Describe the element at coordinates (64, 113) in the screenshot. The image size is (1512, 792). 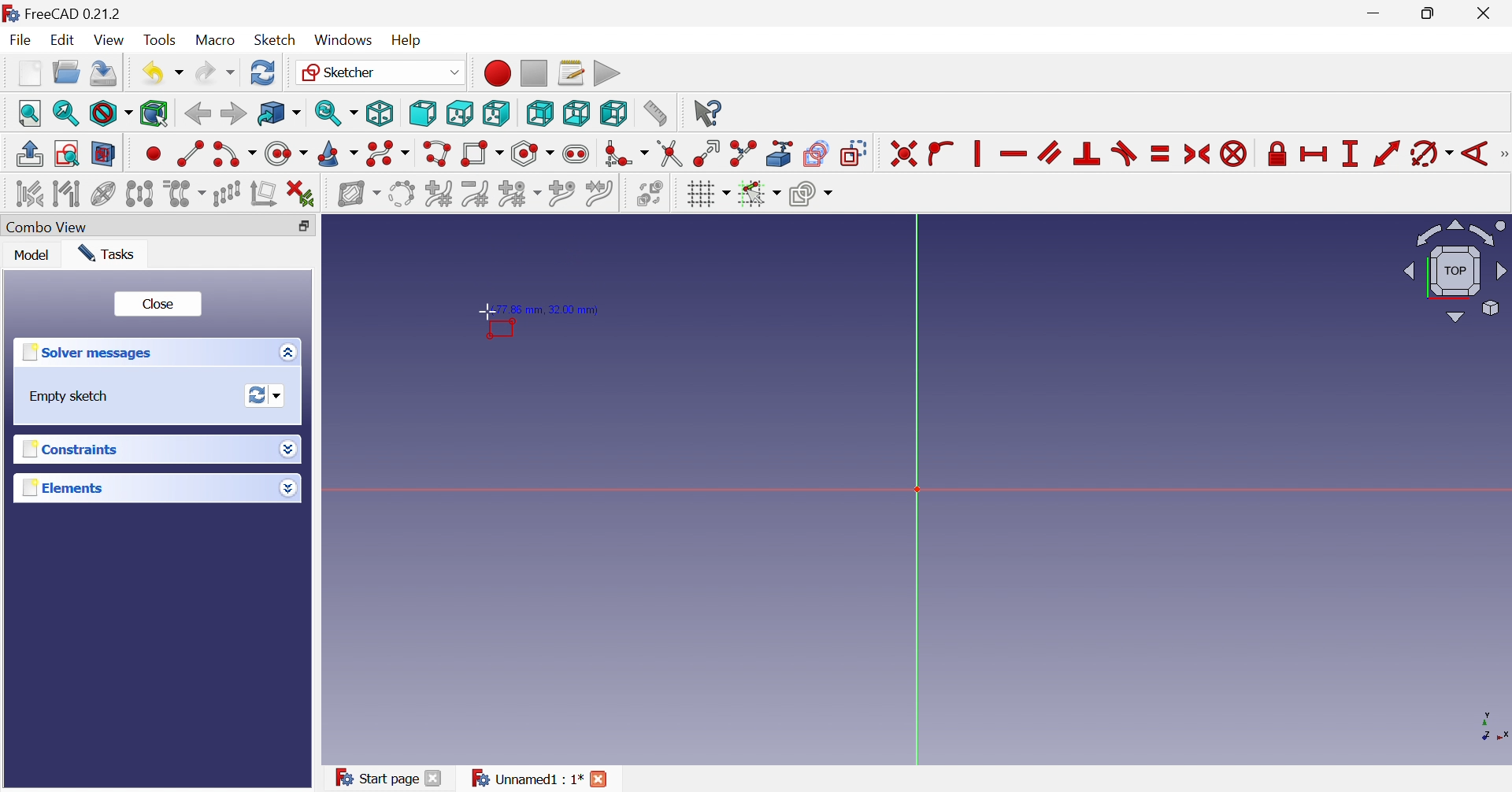
I see `Fit selection` at that location.